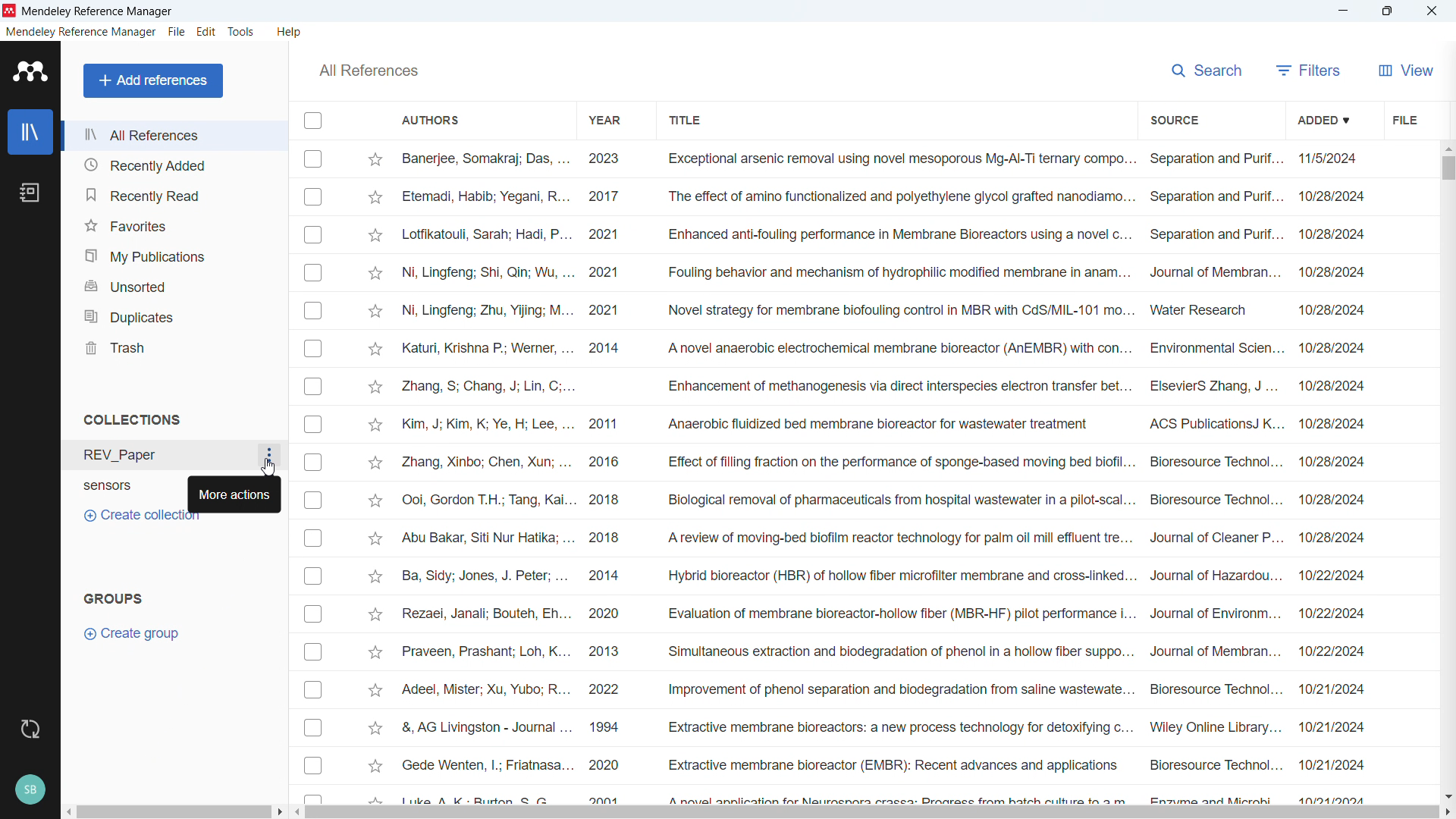 This screenshot has width=1456, height=819. Describe the element at coordinates (280, 811) in the screenshot. I see `Scroll right ` at that location.